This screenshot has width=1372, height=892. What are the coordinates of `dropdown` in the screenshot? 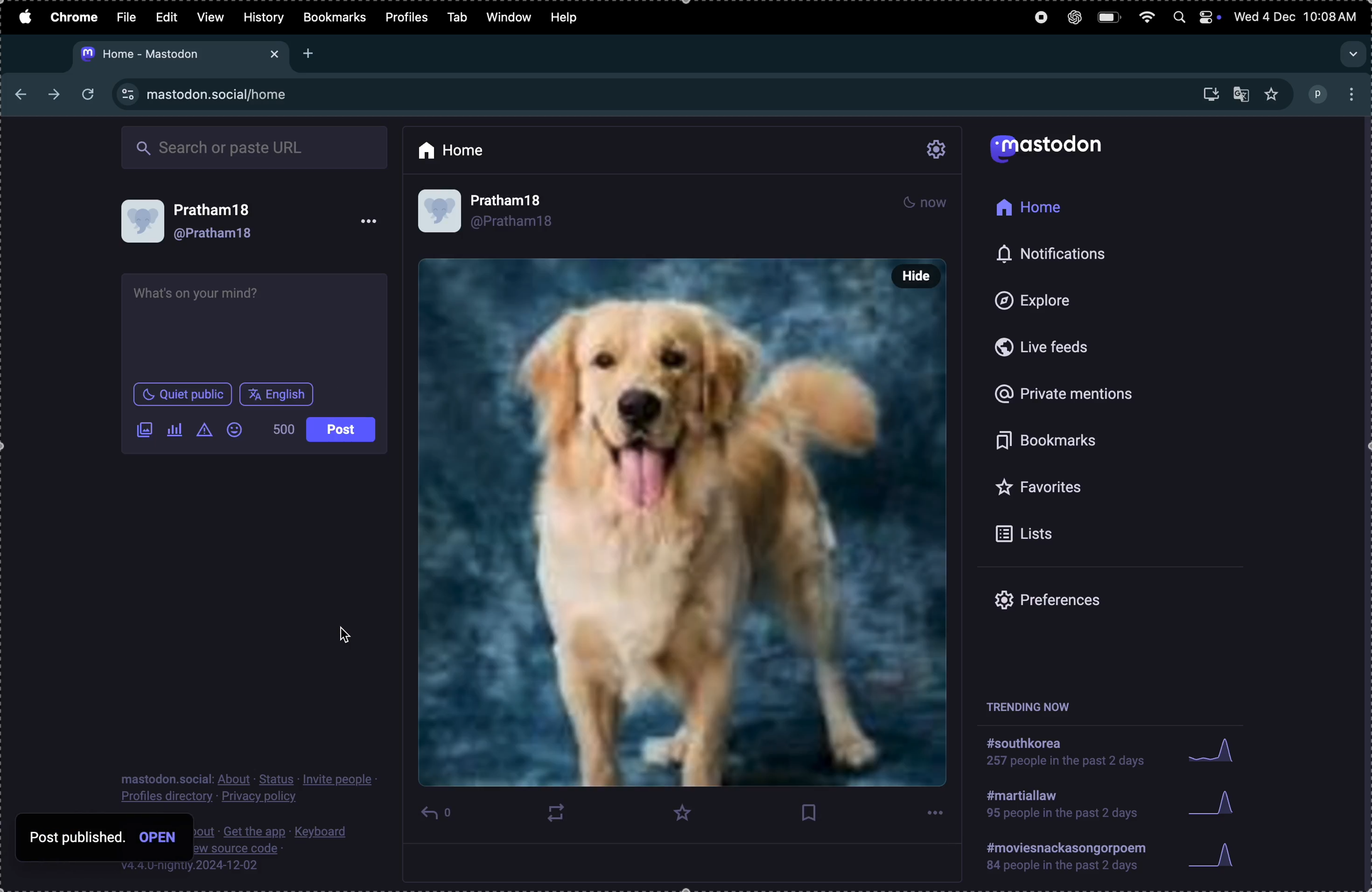 It's located at (1351, 54).